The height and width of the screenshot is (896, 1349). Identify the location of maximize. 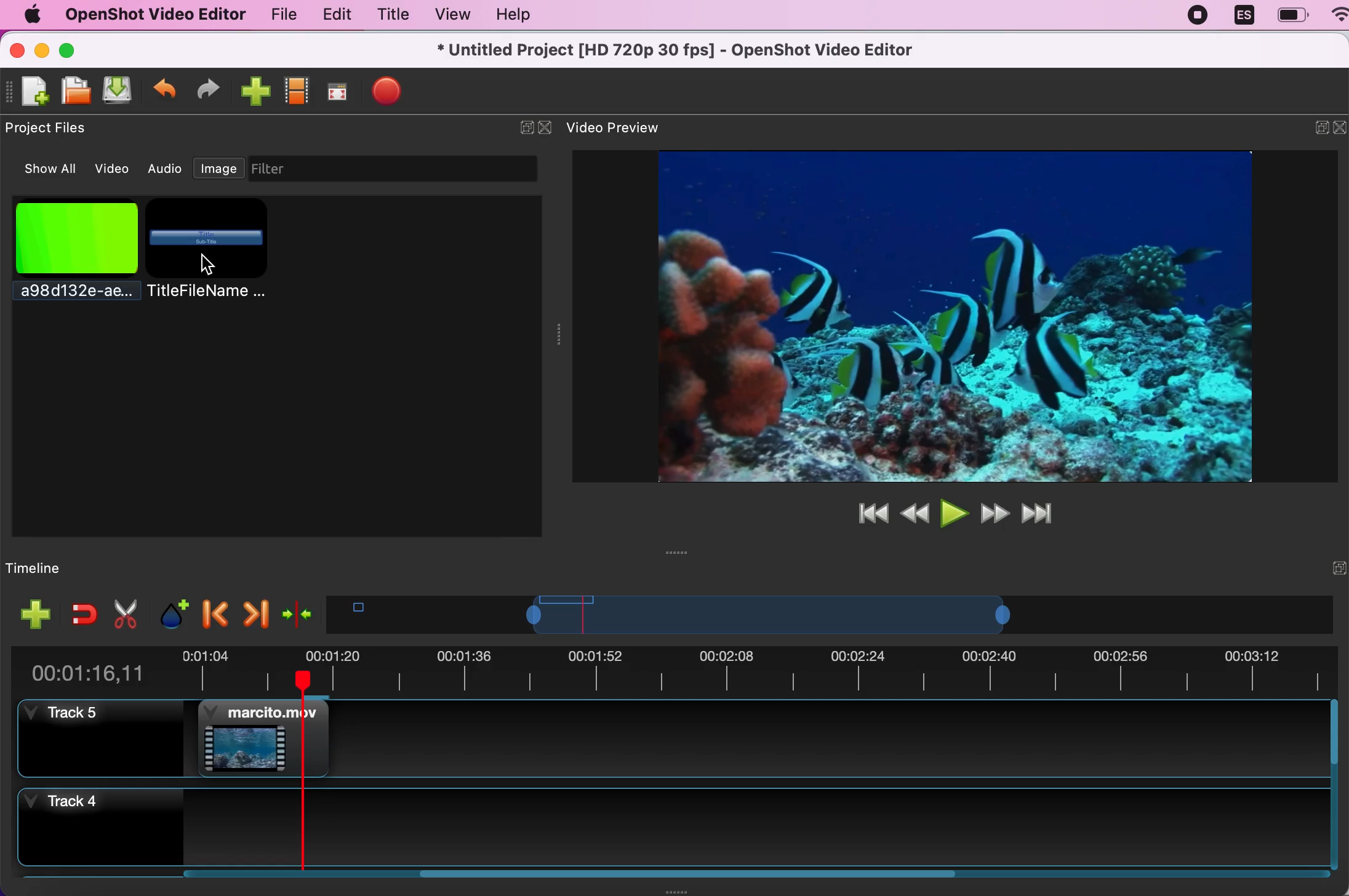
(82, 49).